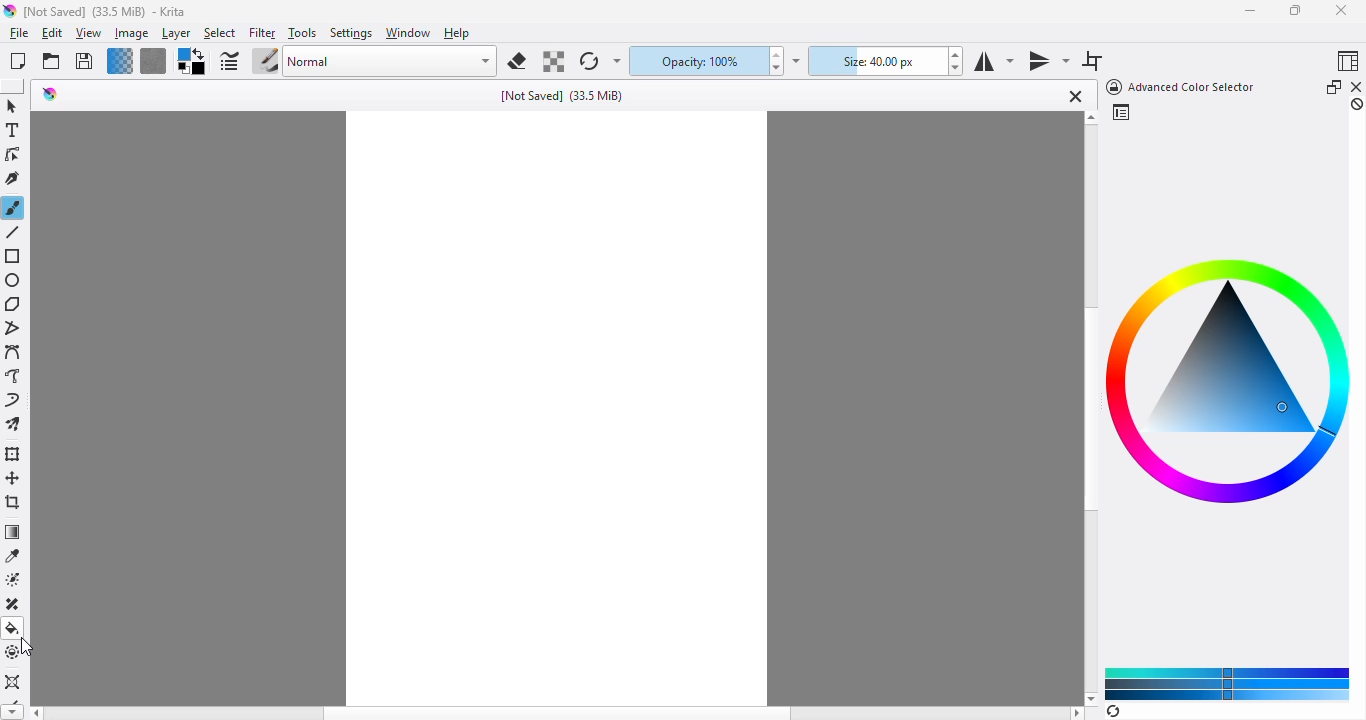 The width and height of the screenshot is (1366, 720). I want to click on color selector, so click(1120, 112).